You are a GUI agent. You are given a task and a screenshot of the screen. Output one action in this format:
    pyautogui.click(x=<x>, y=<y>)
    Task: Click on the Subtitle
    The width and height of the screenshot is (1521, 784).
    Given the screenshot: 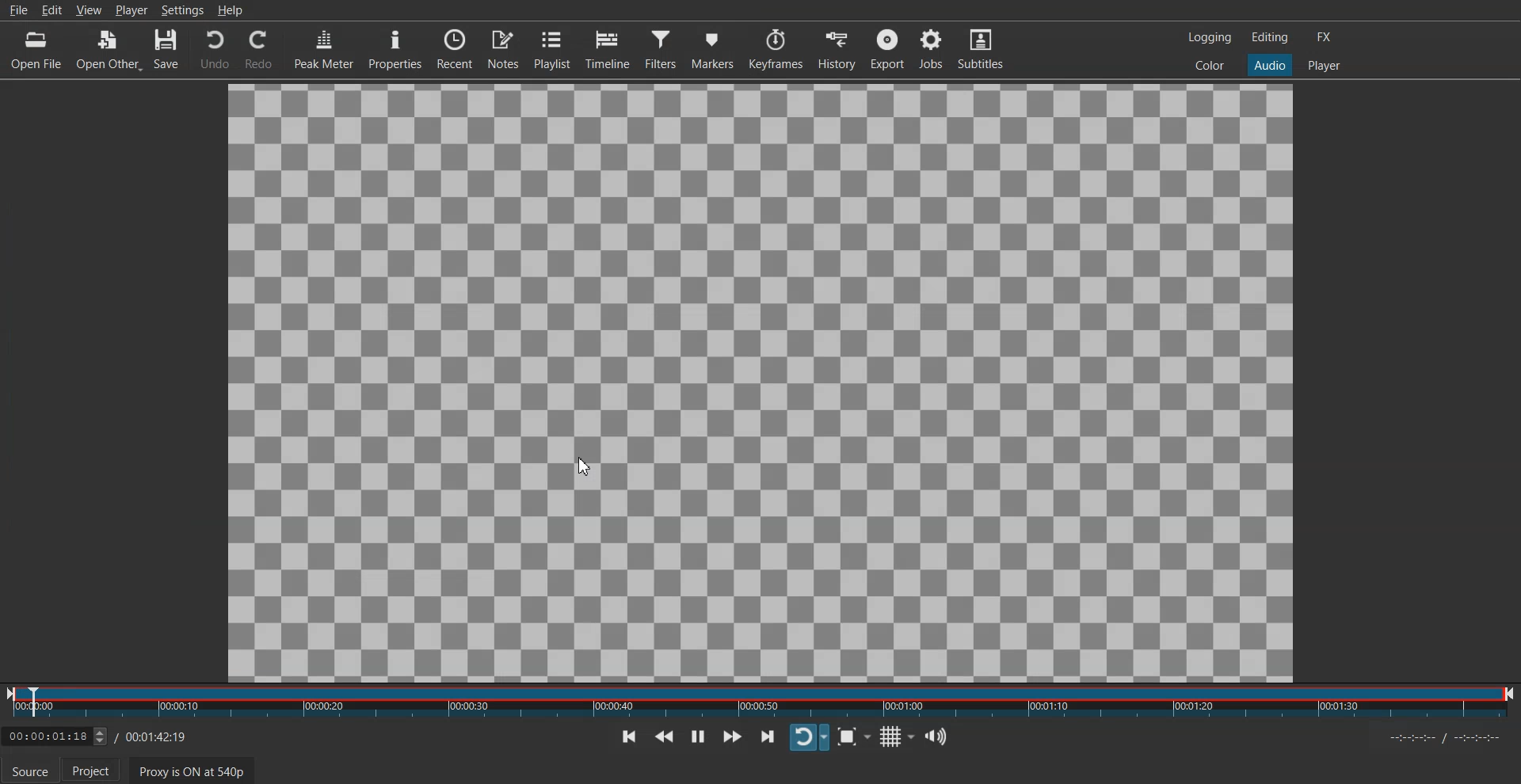 What is the action you would take?
    pyautogui.click(x=982, y=48)
    